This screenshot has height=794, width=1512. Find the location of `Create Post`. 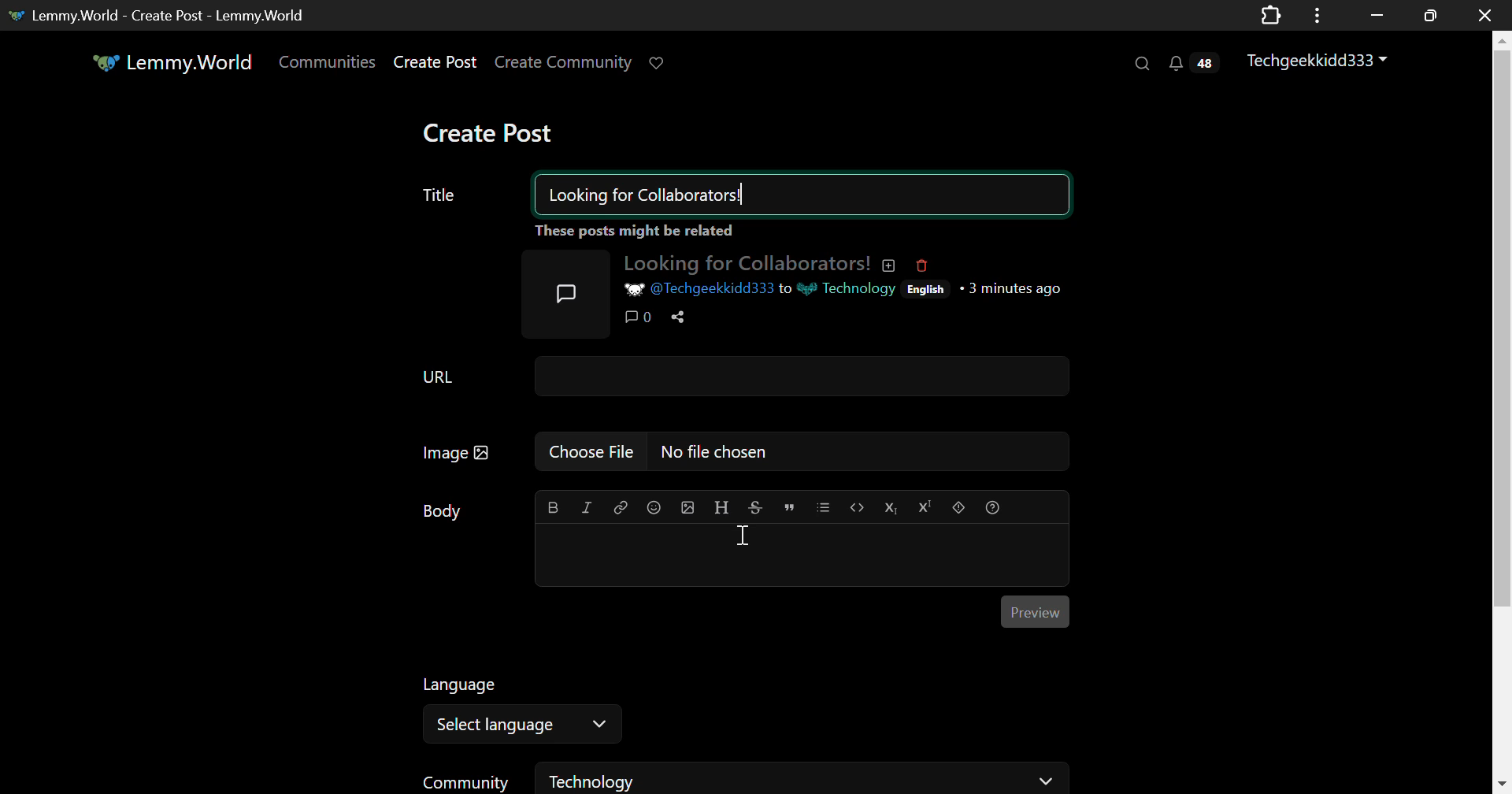

Create Post is located at coordinates (438, 62).